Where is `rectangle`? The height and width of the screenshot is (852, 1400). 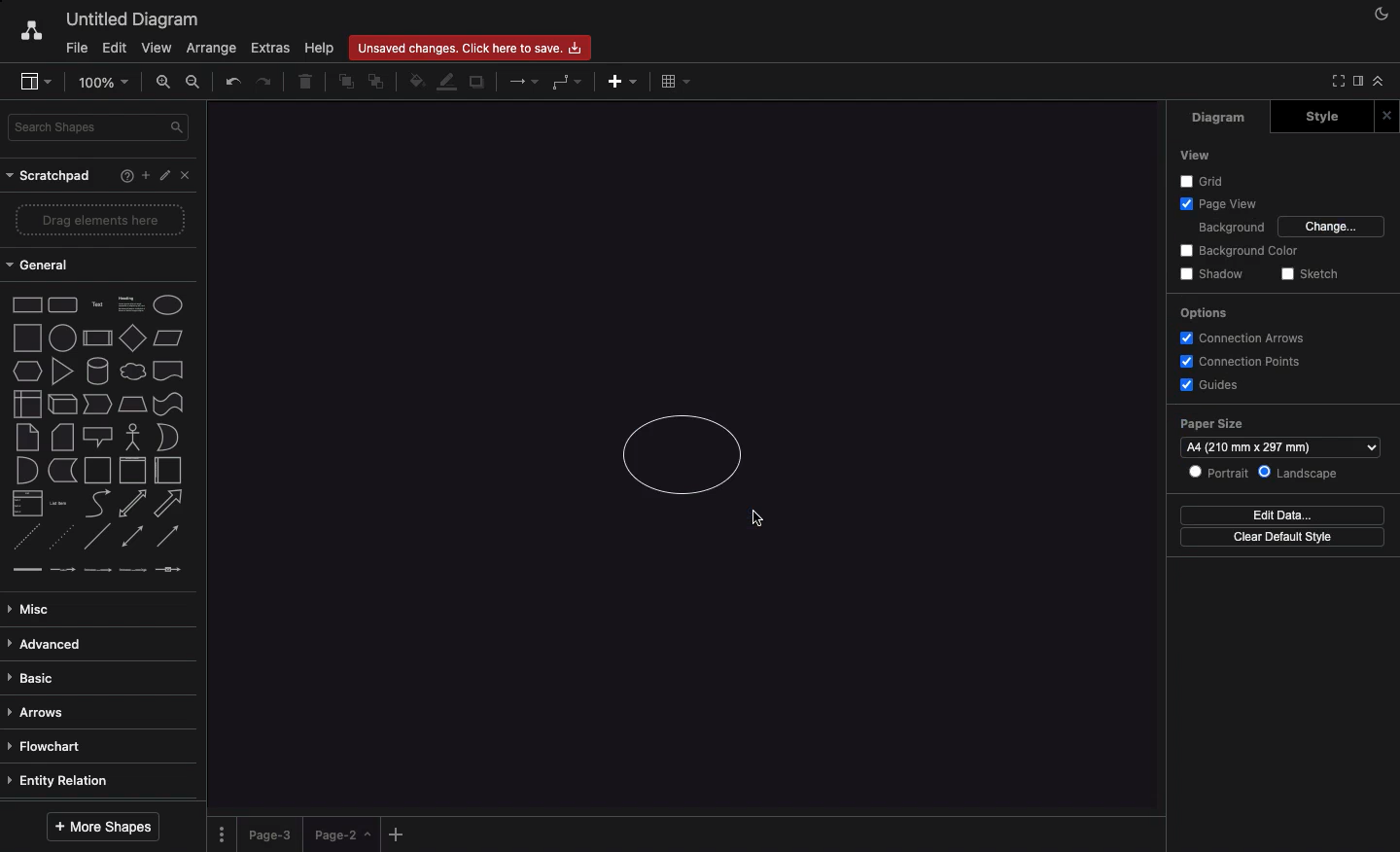
rectangle is located at coordinates (28, 304).